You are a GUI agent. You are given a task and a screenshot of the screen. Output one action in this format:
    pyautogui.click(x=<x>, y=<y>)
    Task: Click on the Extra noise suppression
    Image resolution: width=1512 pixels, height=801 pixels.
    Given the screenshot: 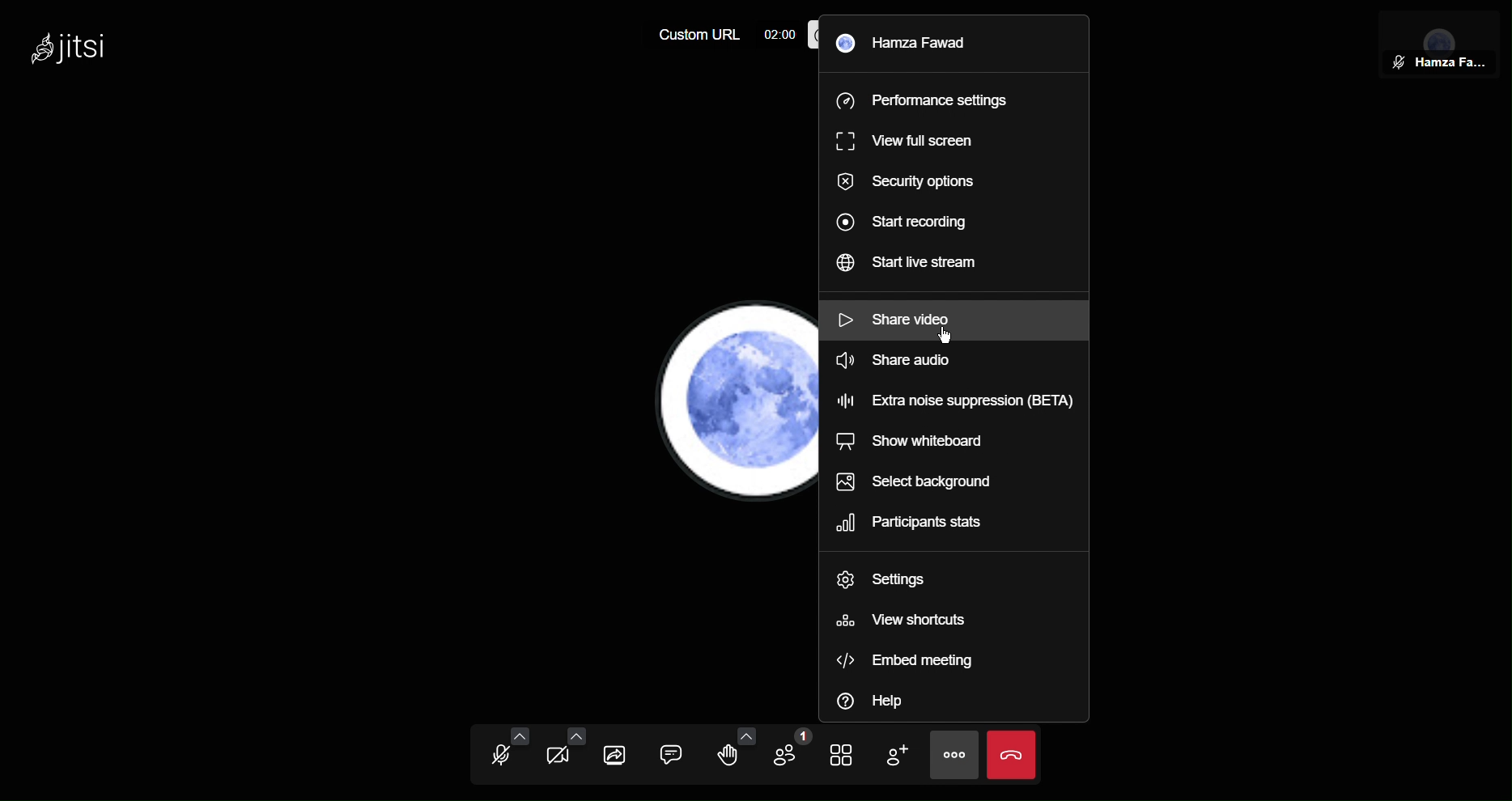 What is the action you would take?
    pyautogui.click(x=952, y=396)
    